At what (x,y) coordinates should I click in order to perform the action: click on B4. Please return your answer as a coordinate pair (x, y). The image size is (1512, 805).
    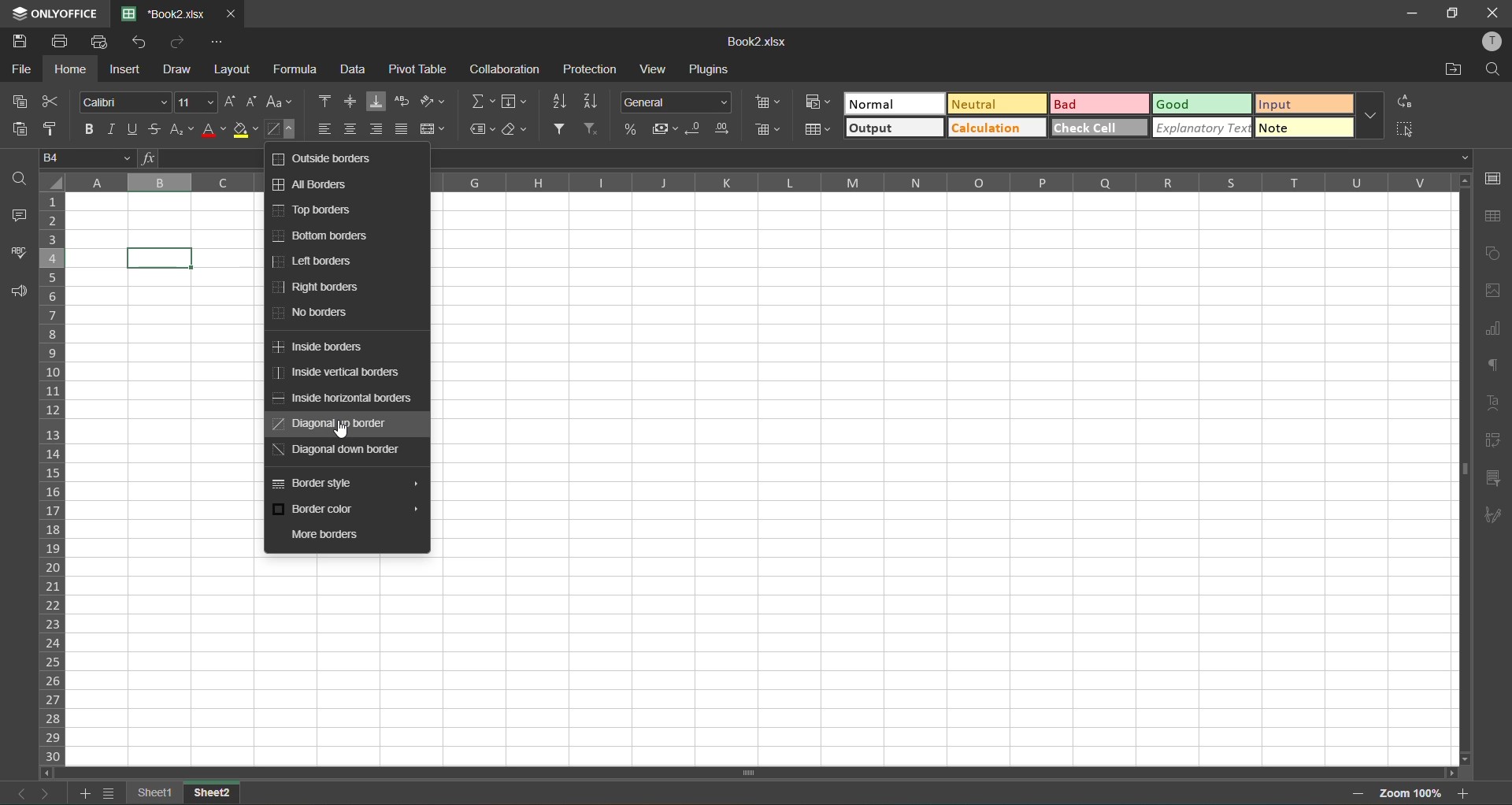
    Looking at the image, I should click on (89, 157).